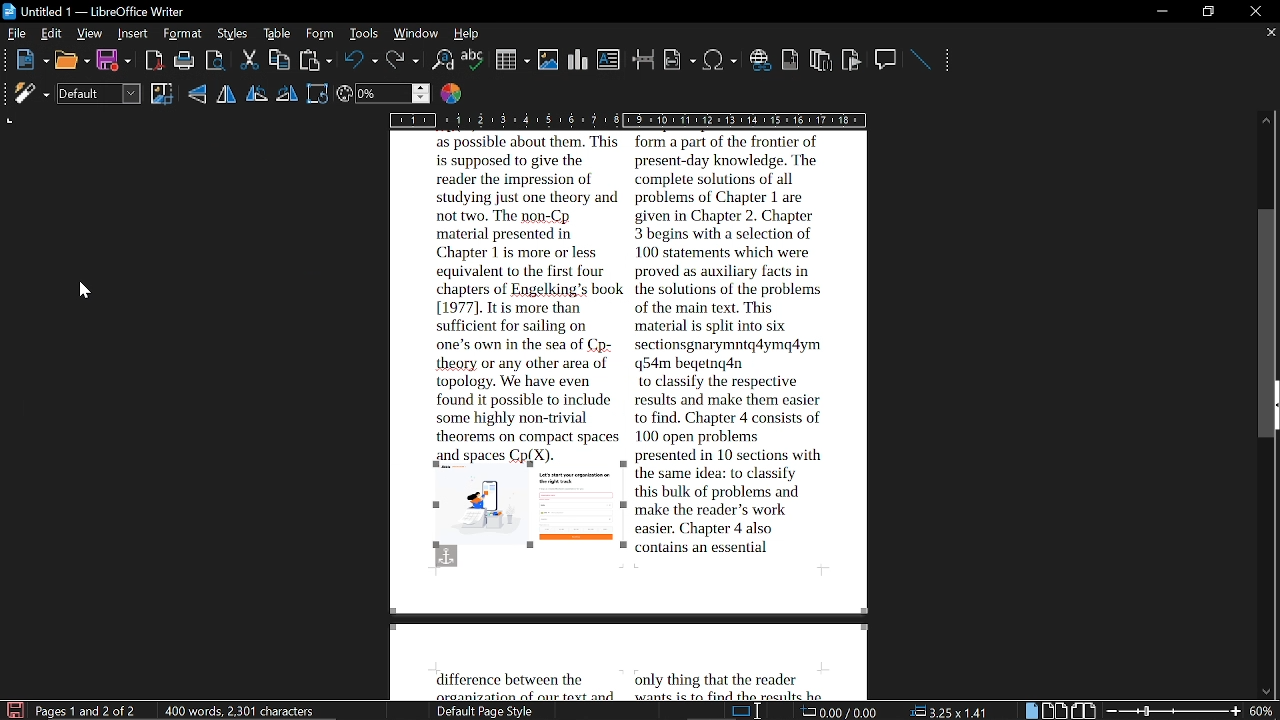  Describe the element at coordinates (954, 711) in the screenshot. I see `3.25 X 1.41` at that location.